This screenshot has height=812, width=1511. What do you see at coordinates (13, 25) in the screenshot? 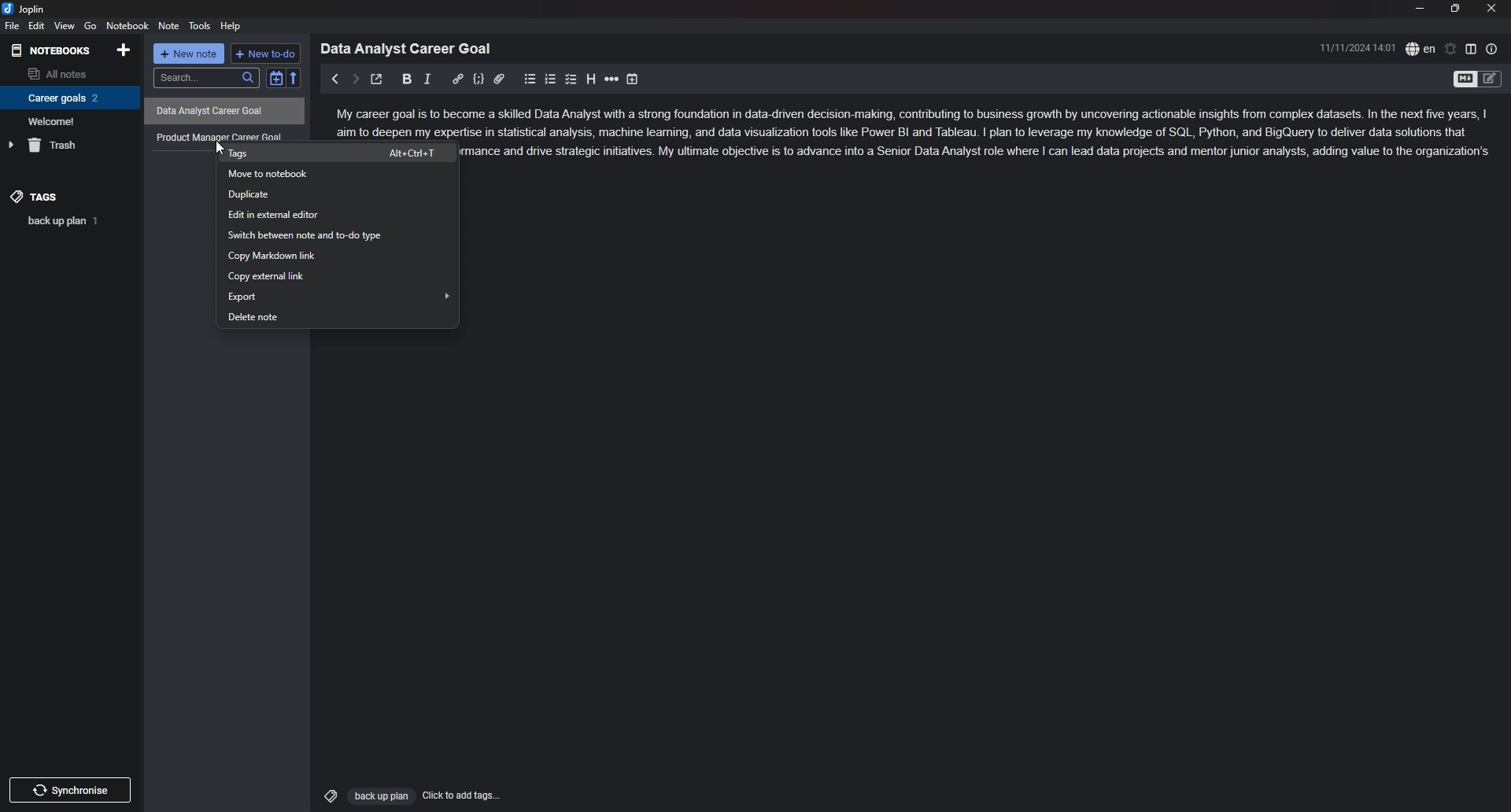
I see `file` at bounding box center [13, 25].